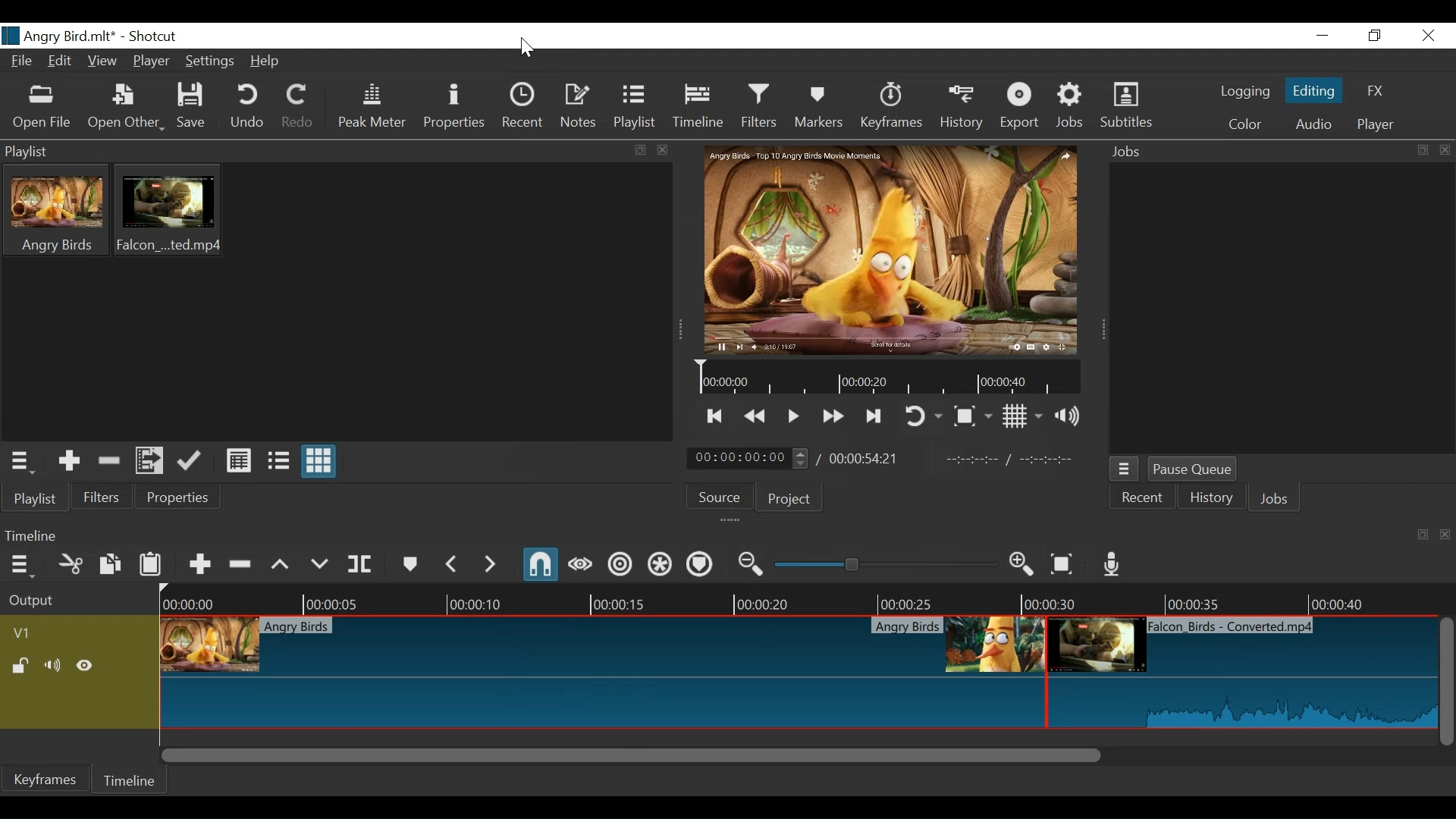 The image size is (1456, 819). Describe the element at coordinates (370, 108) in the screenshot. I see `Peak Meter` at that location.